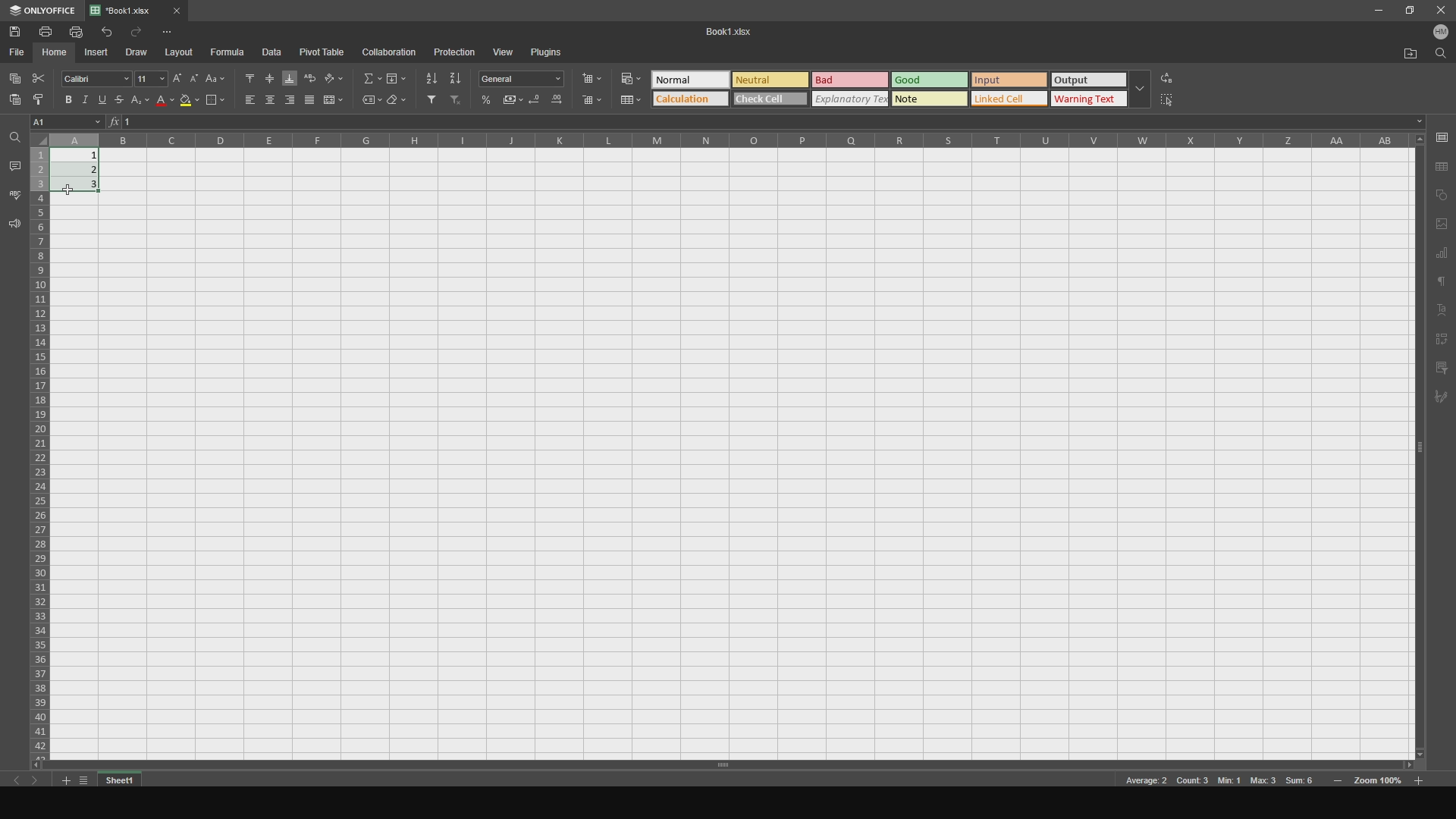  Describe the element at coordinates (268, 76) in the screenshot. I see `align middle` at that location.